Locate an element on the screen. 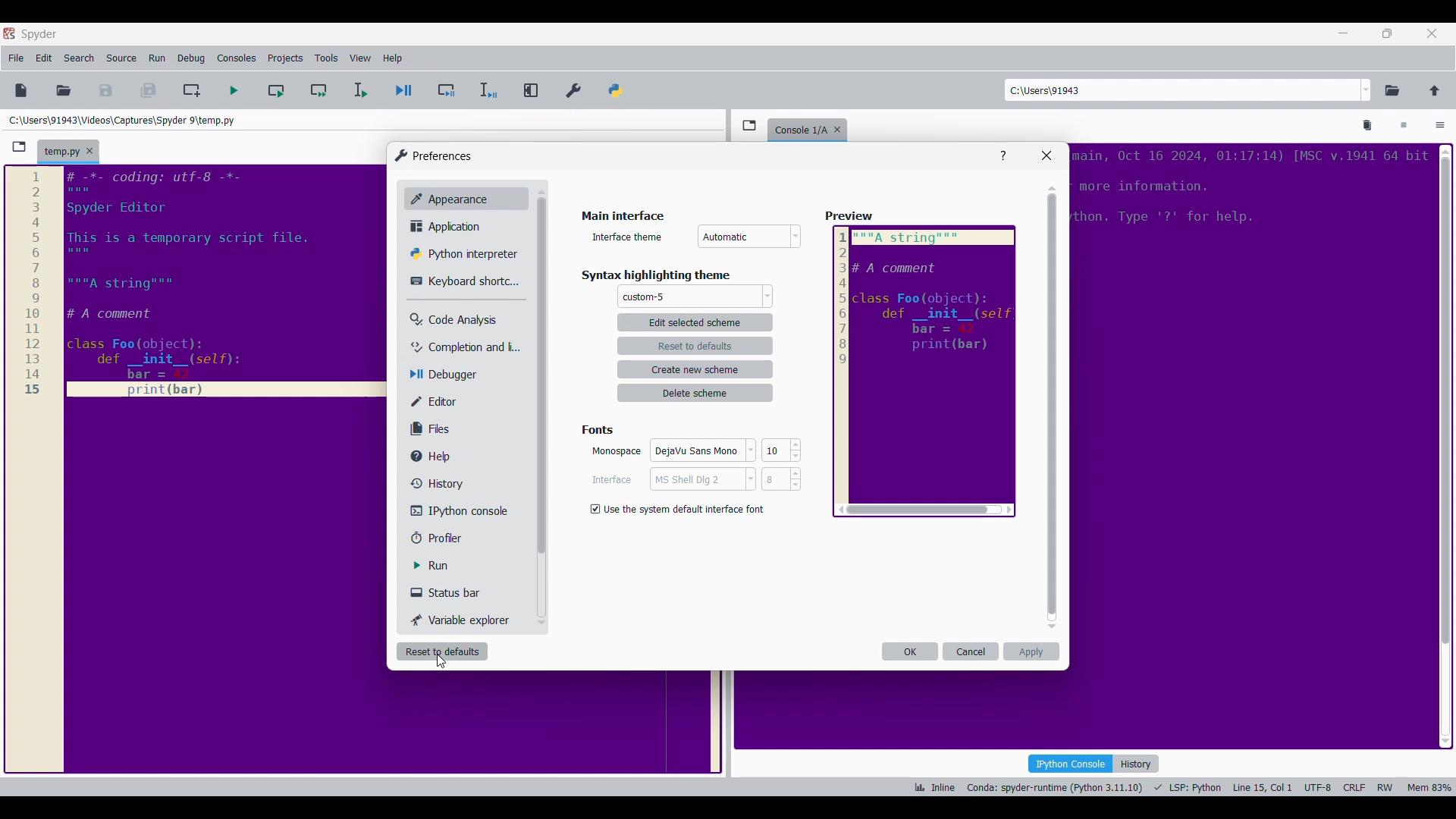 This screenshot has height=819, width=1456. CRLF is located at coordinates (1354, 786).